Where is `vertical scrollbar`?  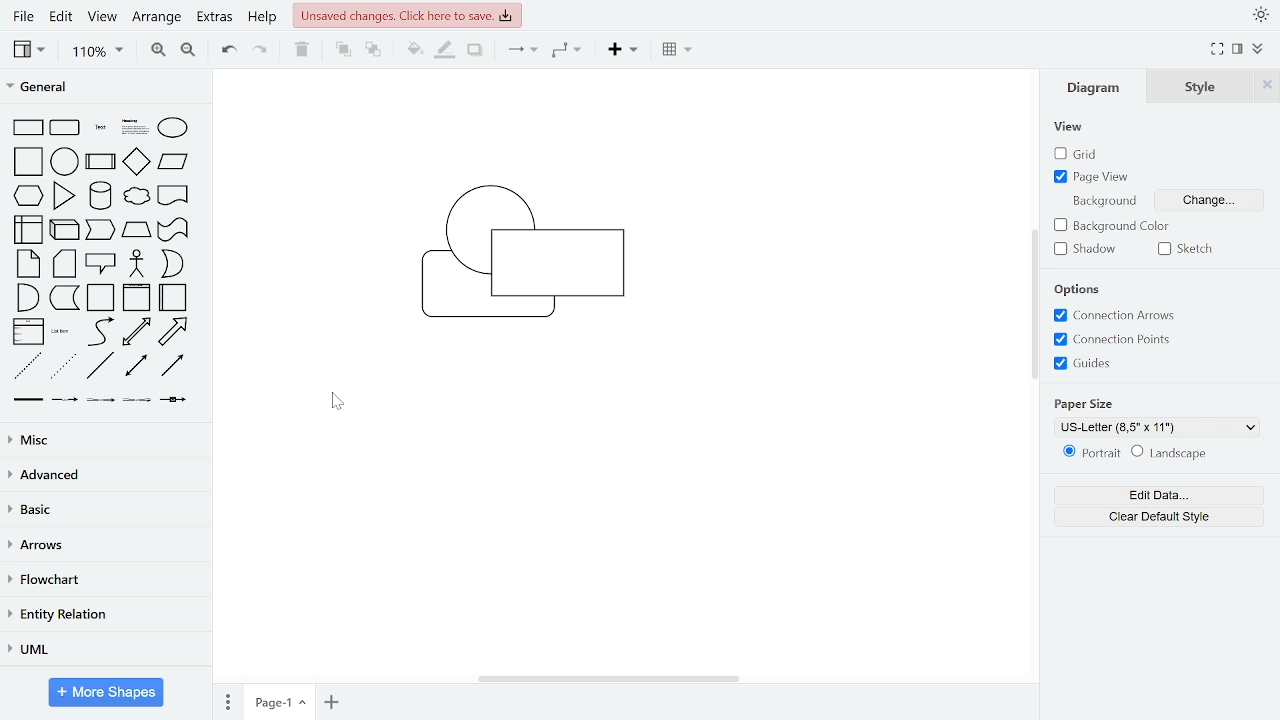 vertical scrollbar is located at coordinates (1035, 304).